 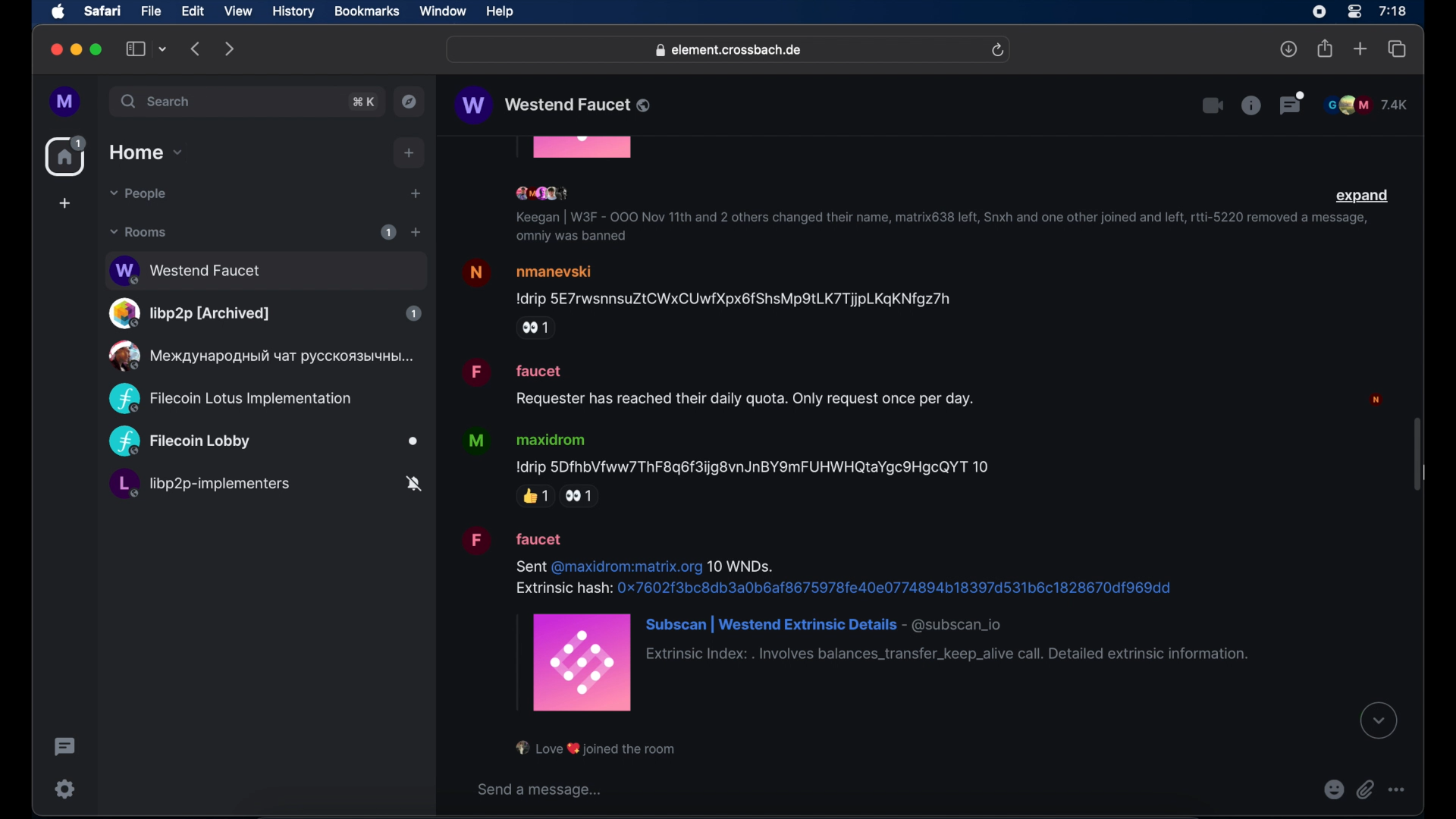 What do you see at coordinates (136, 49) in the screenshot?
I see `show sidebar` at bounding box center [136, 49].